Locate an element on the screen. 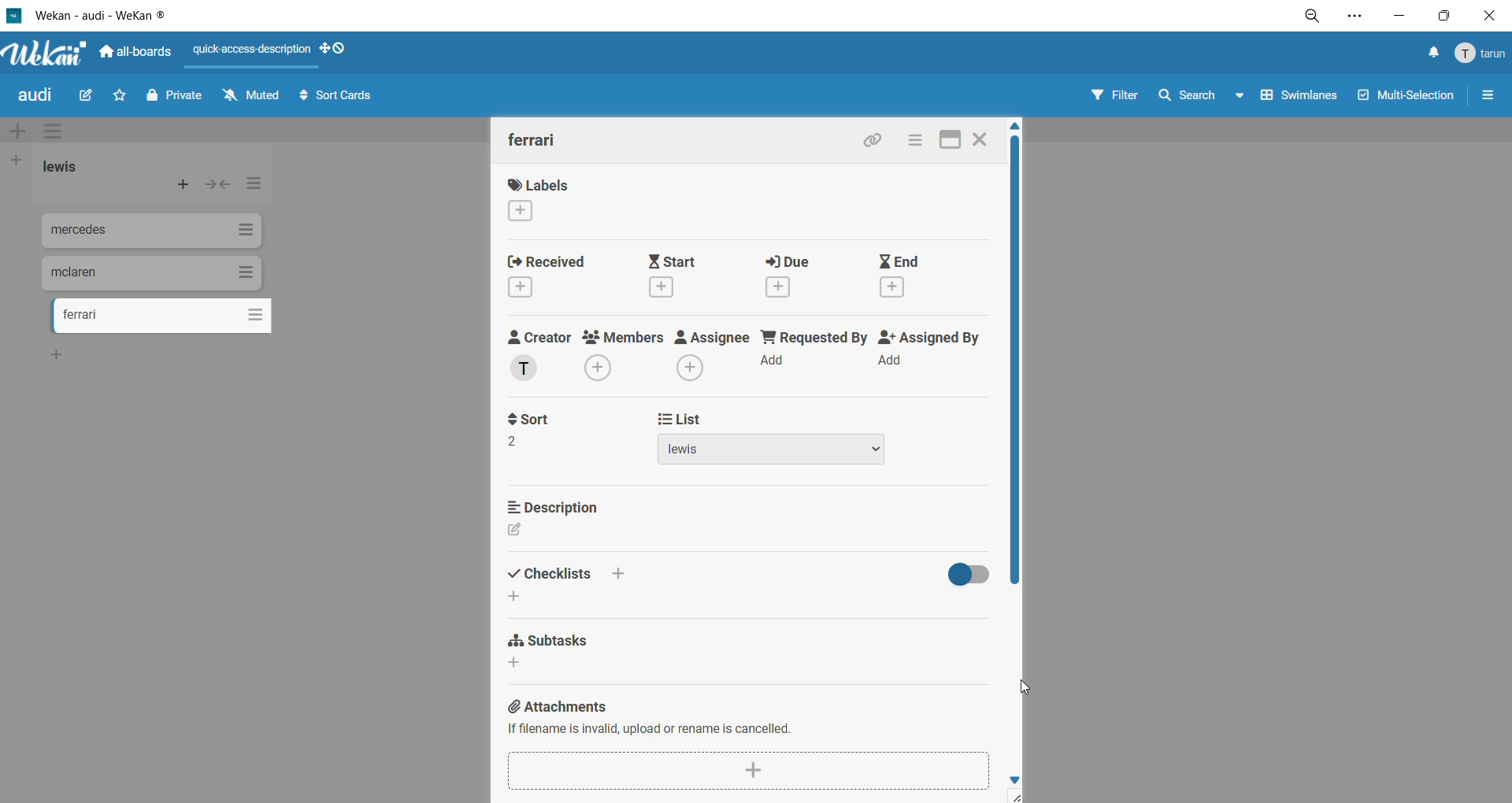 This screenshot has height=803, width=1512. sort cards is located at coordinates (343, 98).